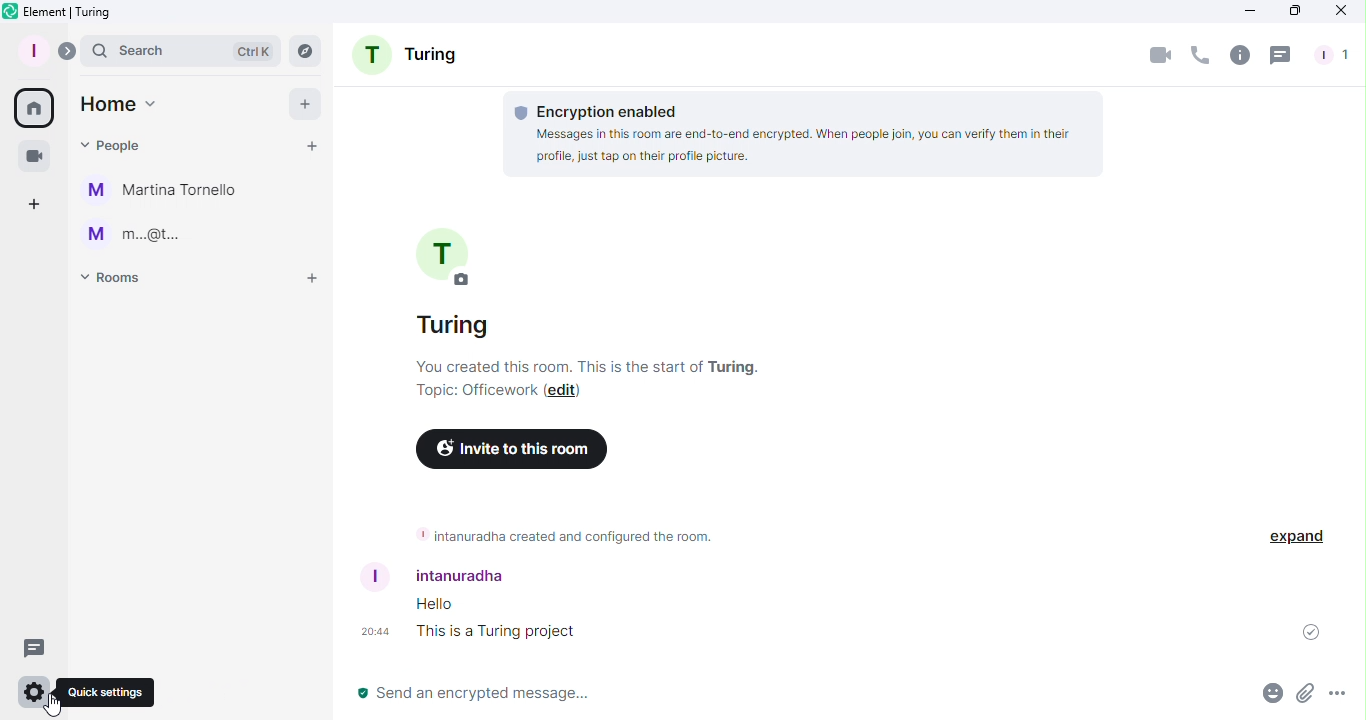  What do you see at coordinates (305, 282) in the screenshot?
I see `Add room` at bounding box center [305, 282].